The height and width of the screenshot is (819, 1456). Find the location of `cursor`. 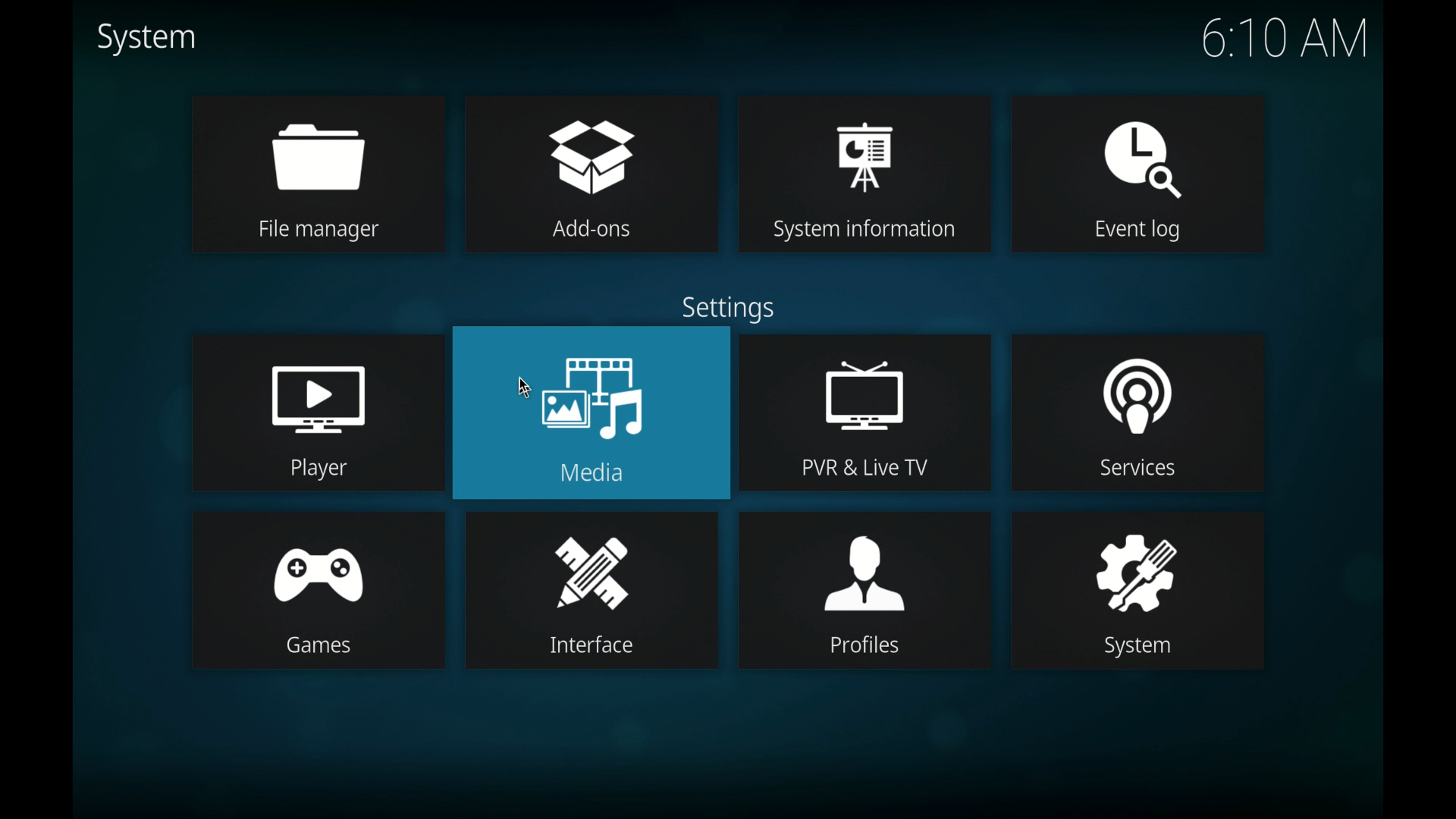

cursor is located at coordinates (523, 388).